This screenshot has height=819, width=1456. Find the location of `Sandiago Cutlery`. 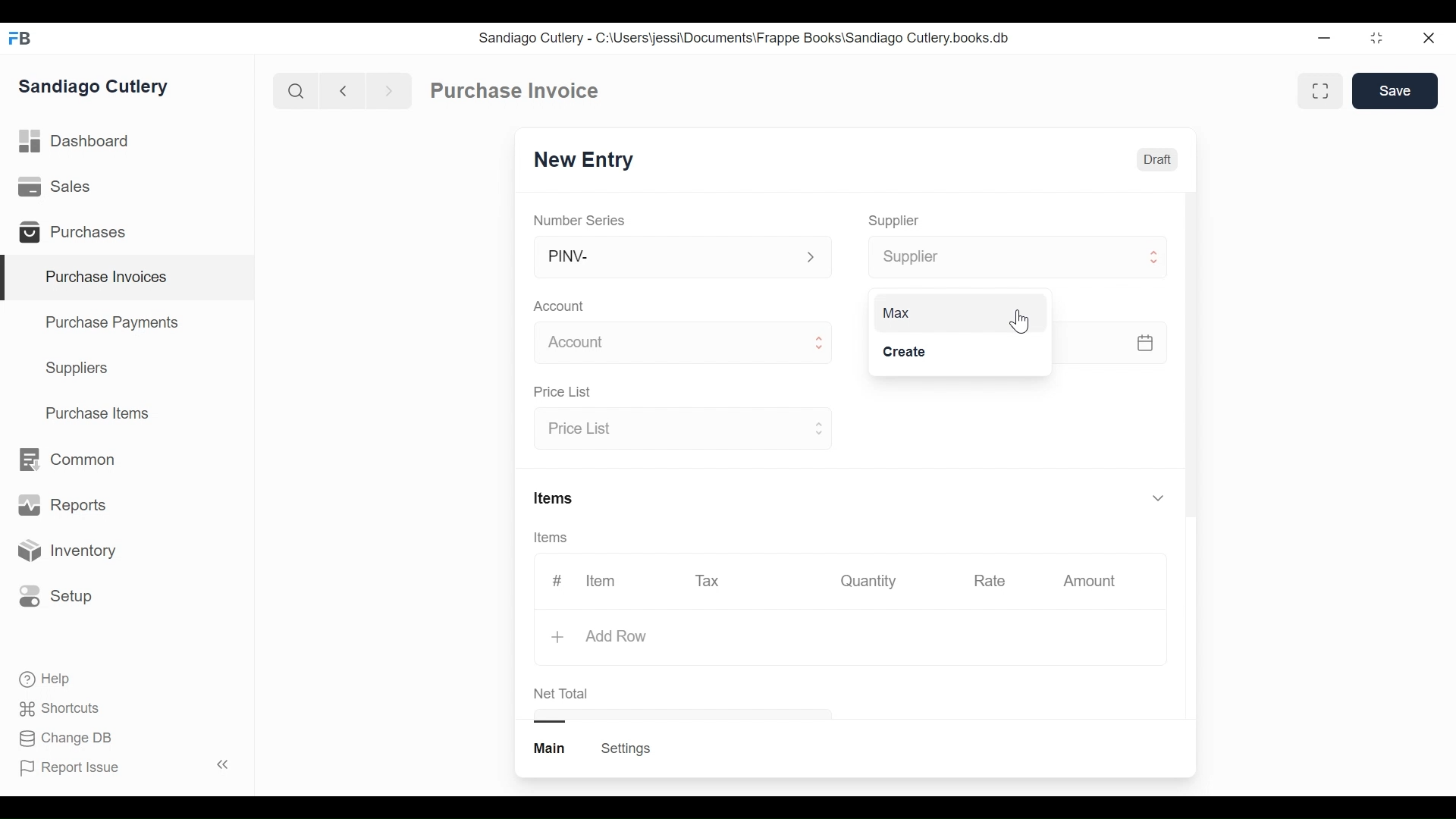

Sandiago Cutlery is located at coordinates (96, 88).